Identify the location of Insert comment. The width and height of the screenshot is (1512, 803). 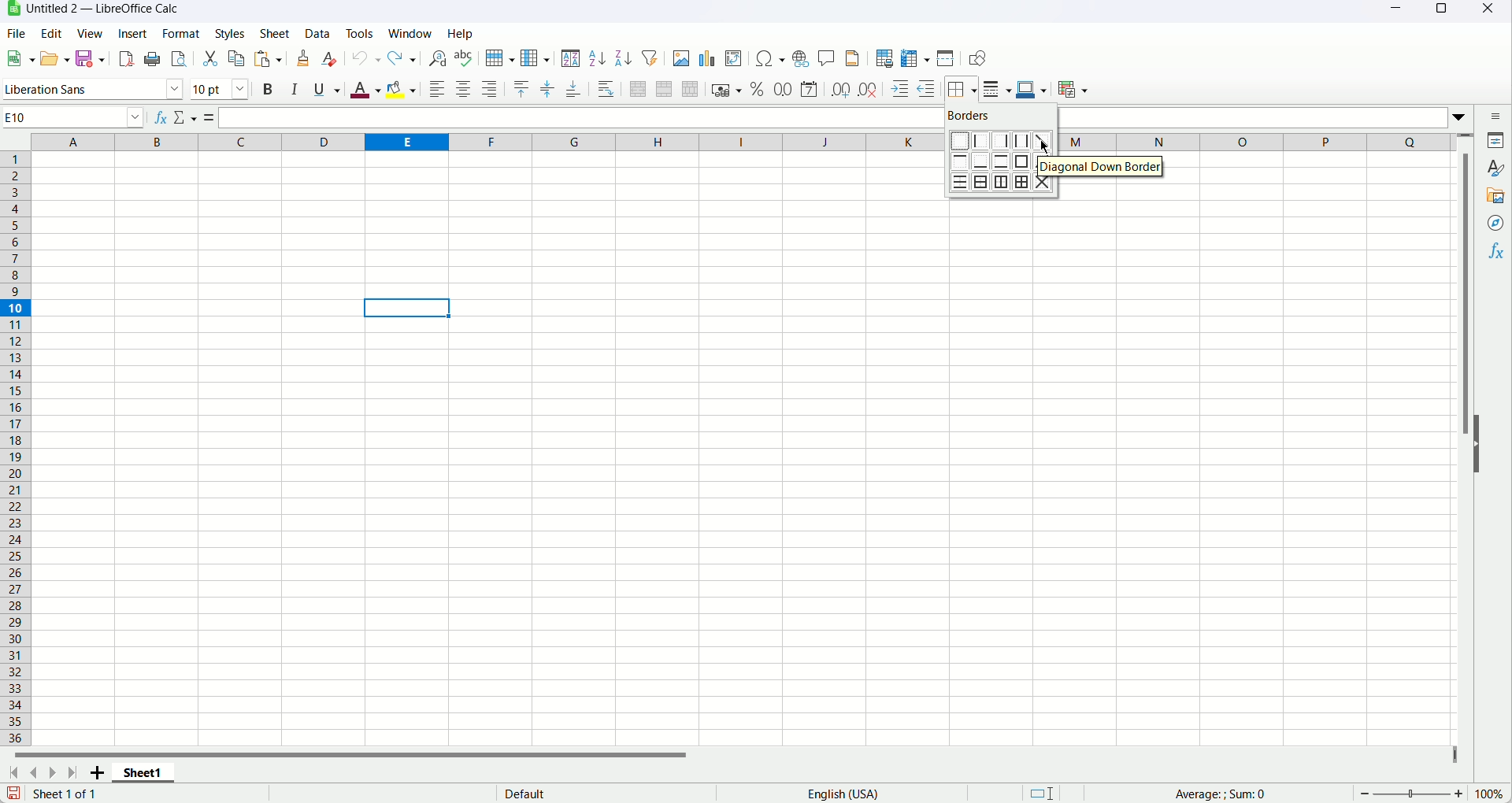
(826, 58).